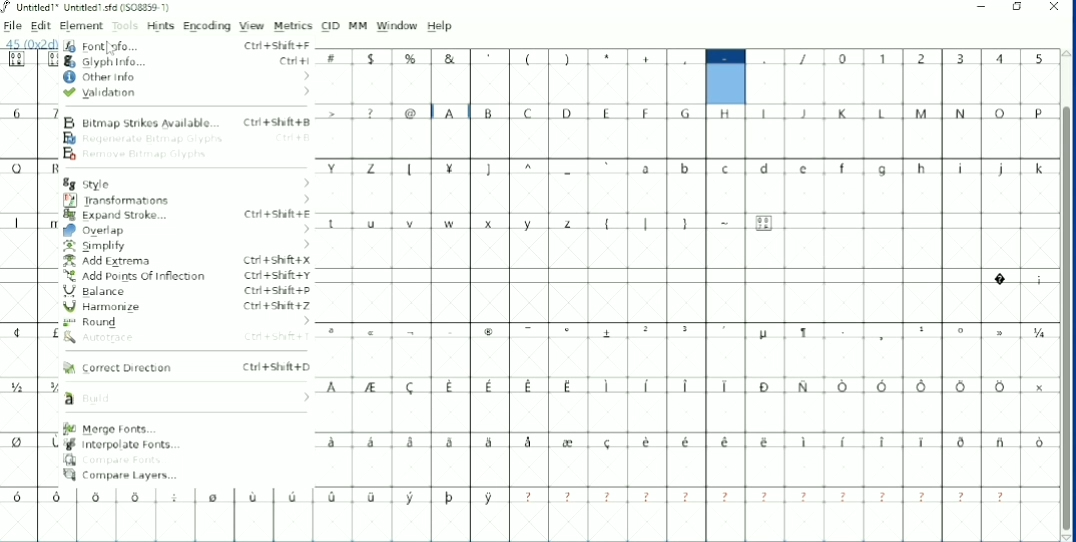  Describe the element at coordinates (187, 138) in the screenshot. I see `Regenerate Bitmap Glyph` at that location.